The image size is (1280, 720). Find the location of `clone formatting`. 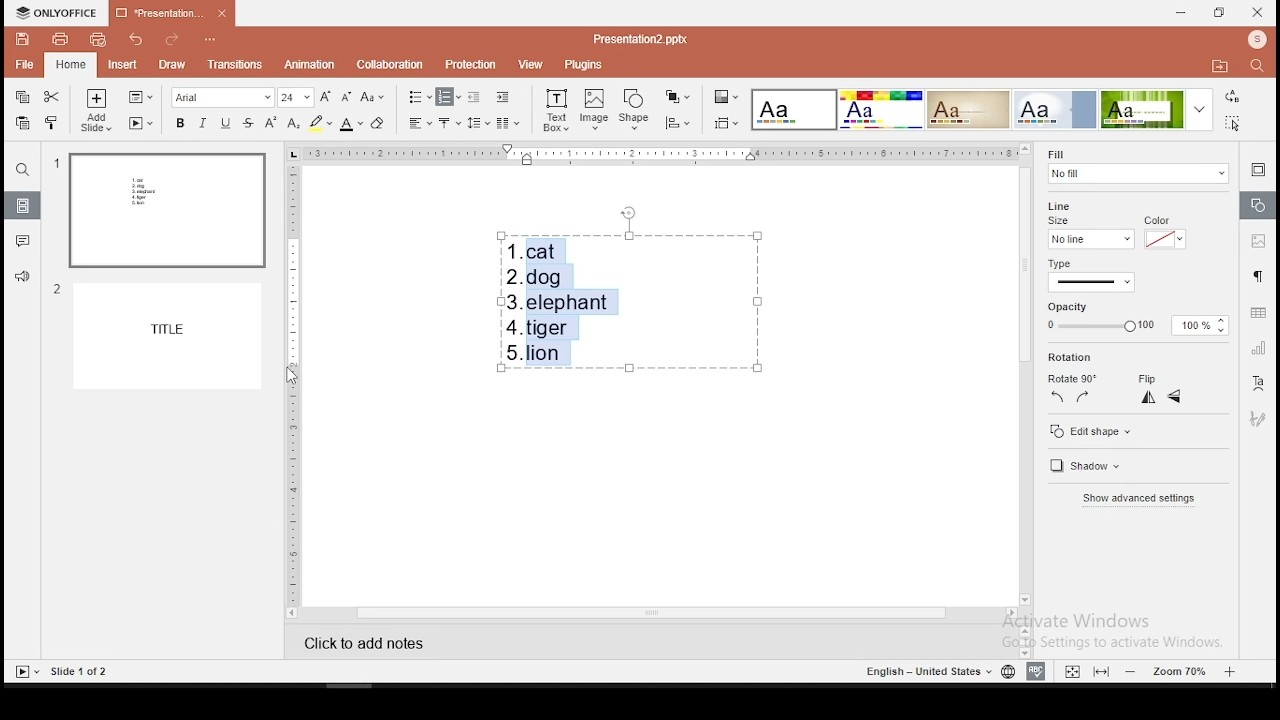

clone formatting is located at coordinates (52, 122).